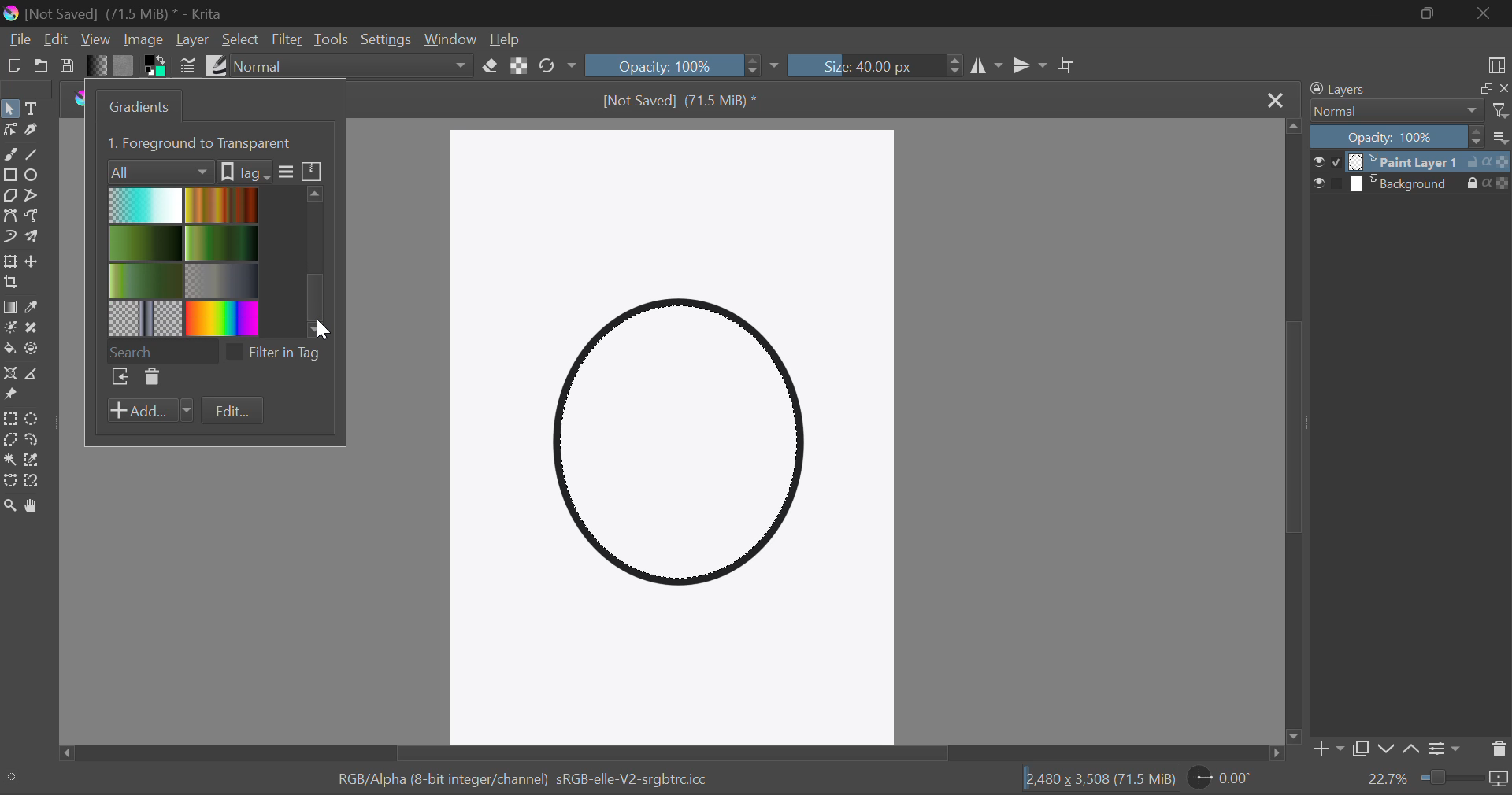 Image resolution: width=1512 pixels, height=795 pixels. I want to click on Line, so click(34, 155).